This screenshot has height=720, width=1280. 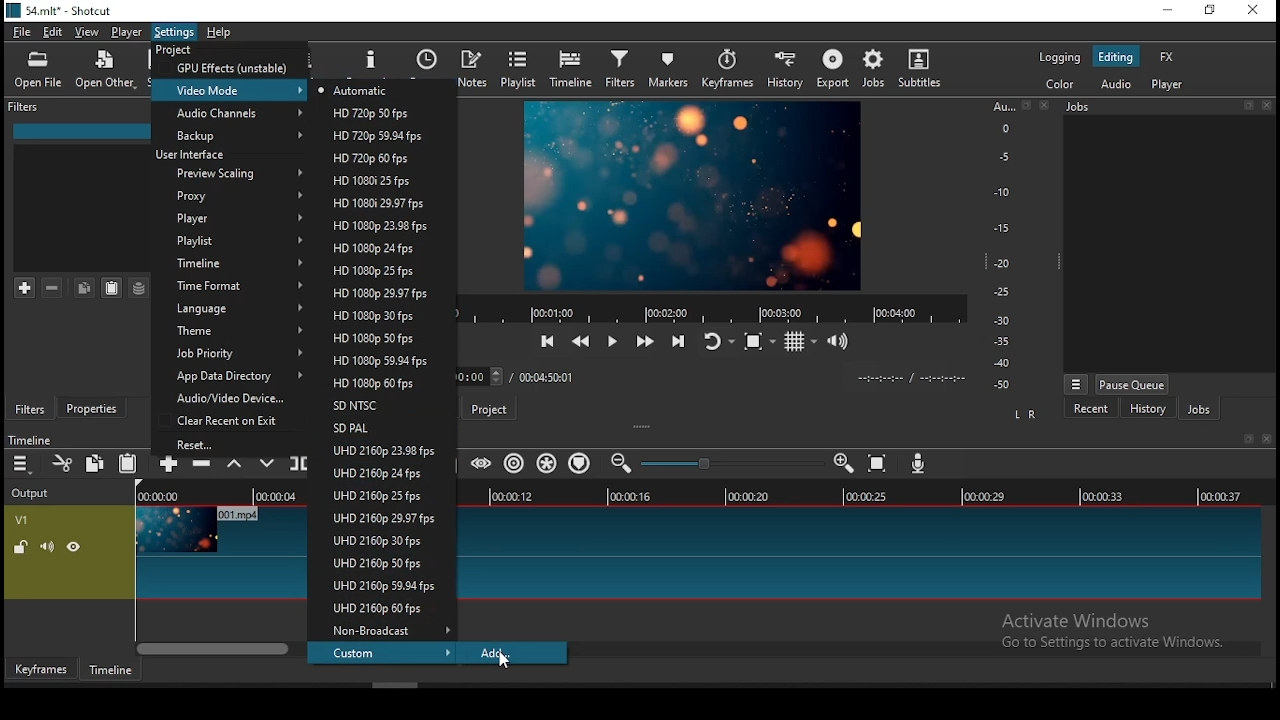 I want to click on 00:00:04, so click(x=273, y=495).